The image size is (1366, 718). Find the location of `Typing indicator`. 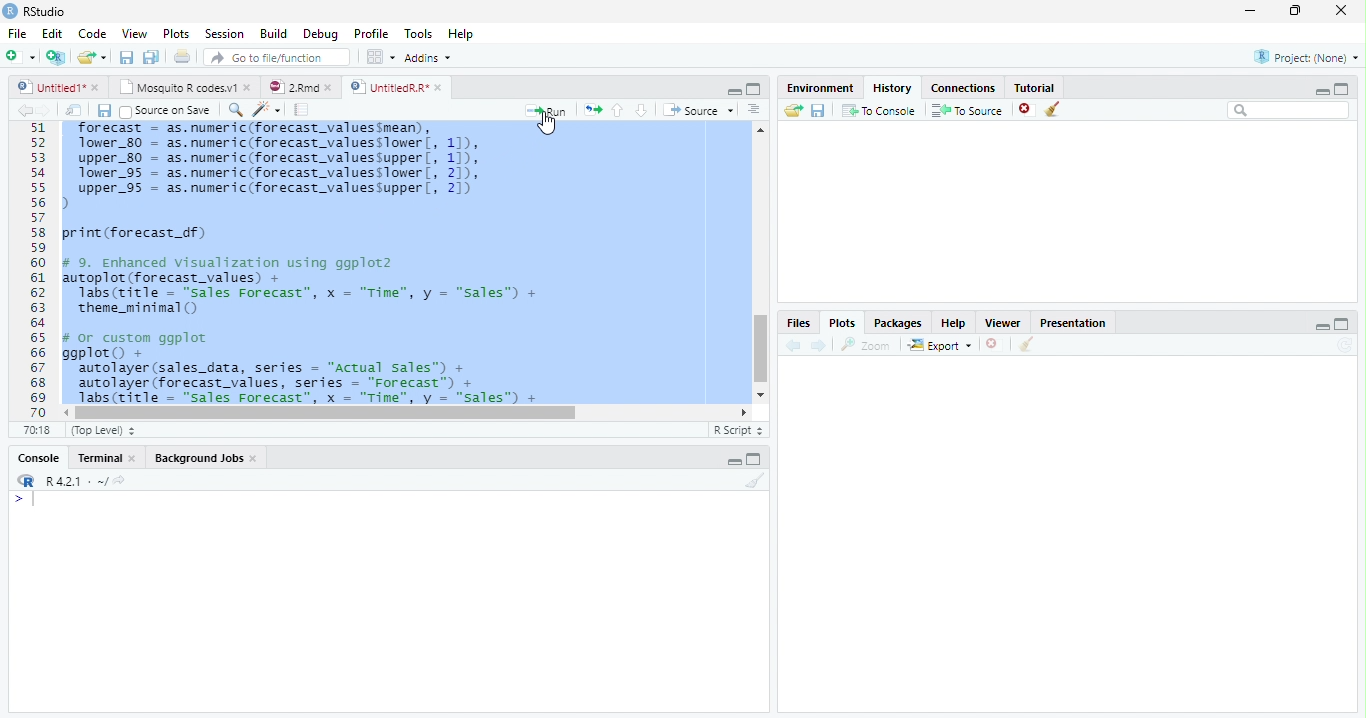

Typing indicator is located at coordinates (28, 502).